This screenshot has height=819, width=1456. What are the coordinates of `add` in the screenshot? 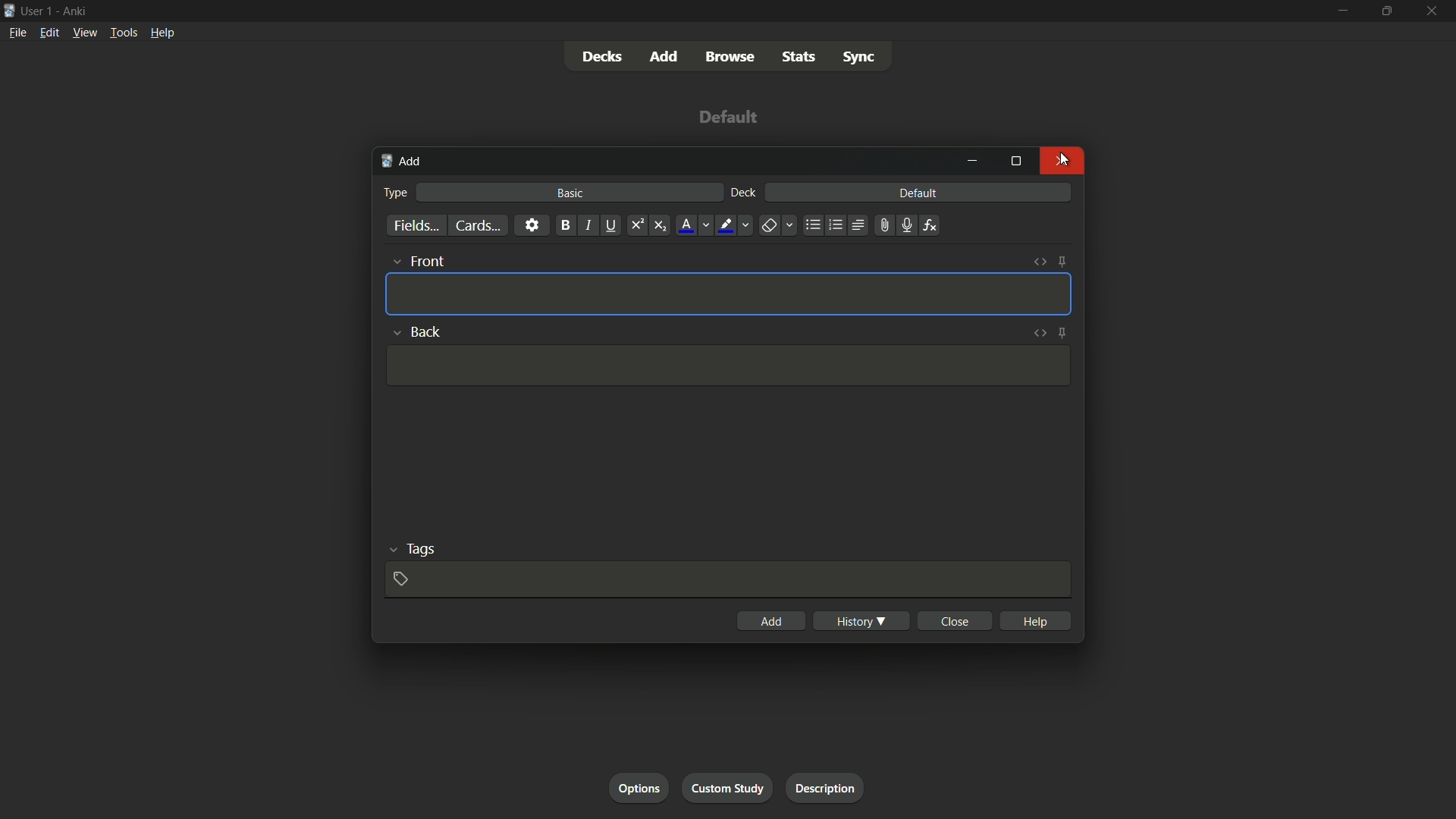 It's located at (772, 620).